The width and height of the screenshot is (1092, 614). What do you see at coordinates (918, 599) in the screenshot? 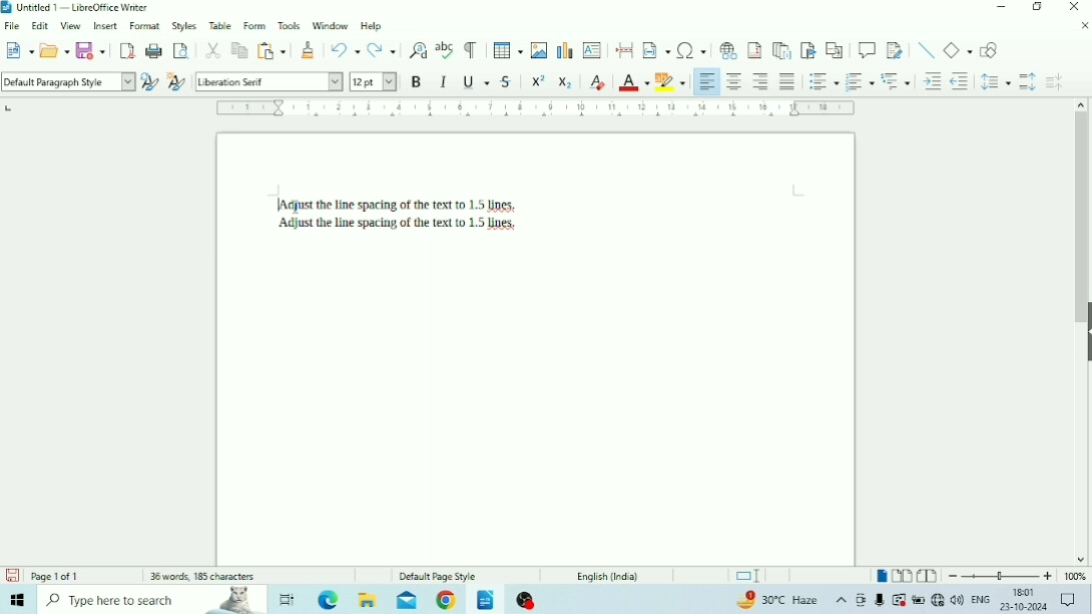
I see `Charging, plugged in` at bounding box center [918, 599].